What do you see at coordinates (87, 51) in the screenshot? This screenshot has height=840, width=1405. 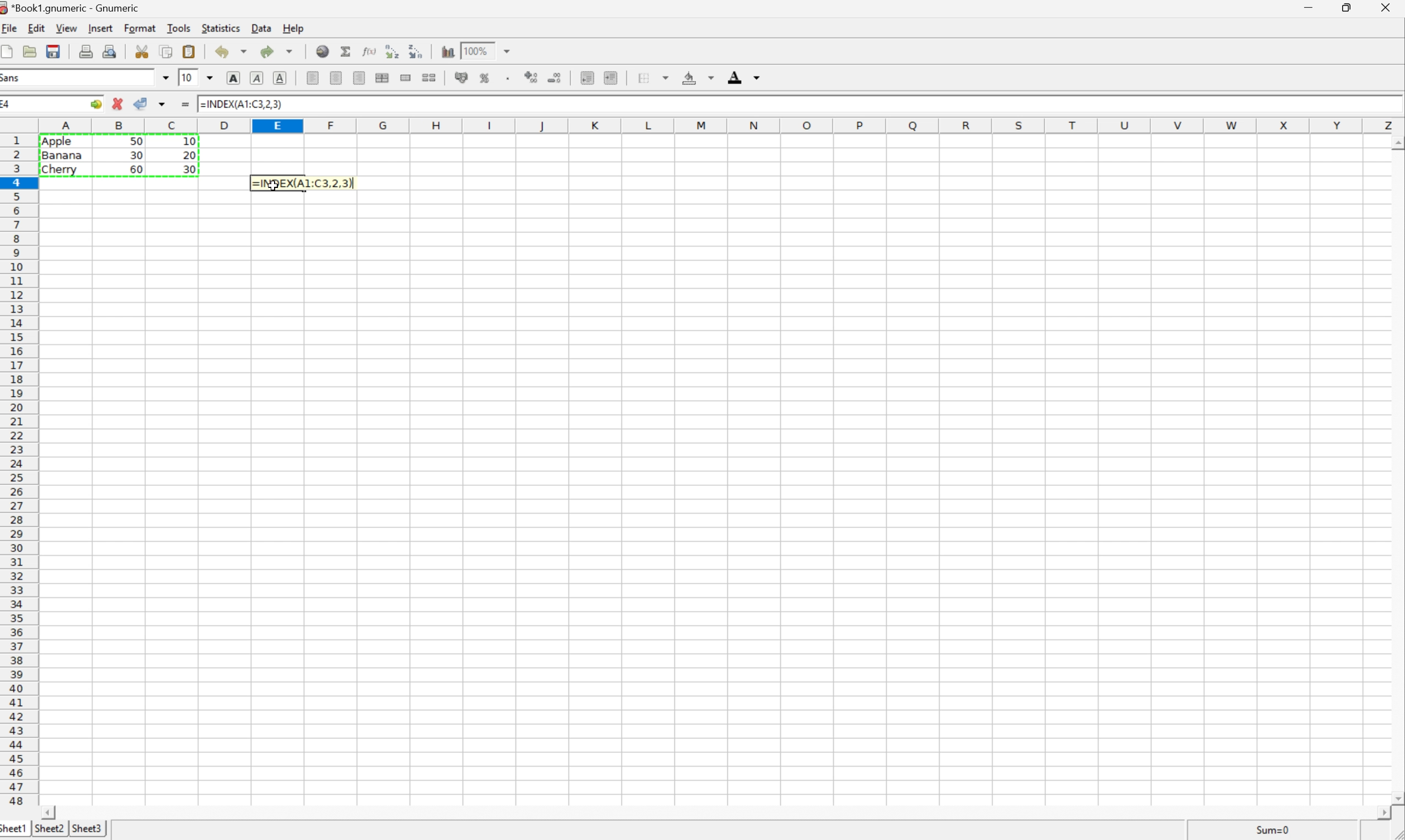 I see `print` at bounding box center [87, 51].